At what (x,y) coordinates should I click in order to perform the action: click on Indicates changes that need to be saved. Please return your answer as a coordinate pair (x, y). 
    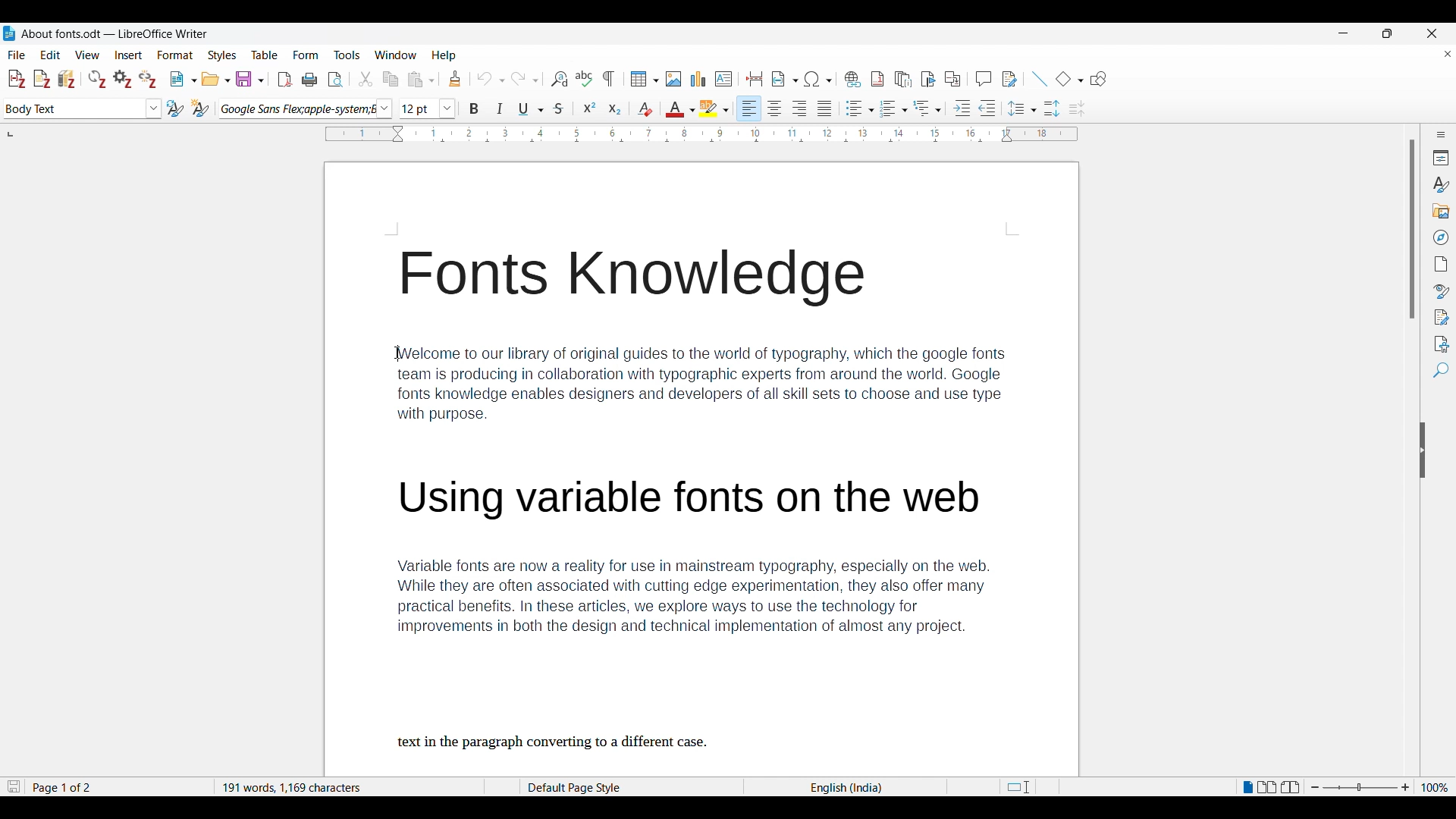
    Looking at the image, I should click on (13, 786).